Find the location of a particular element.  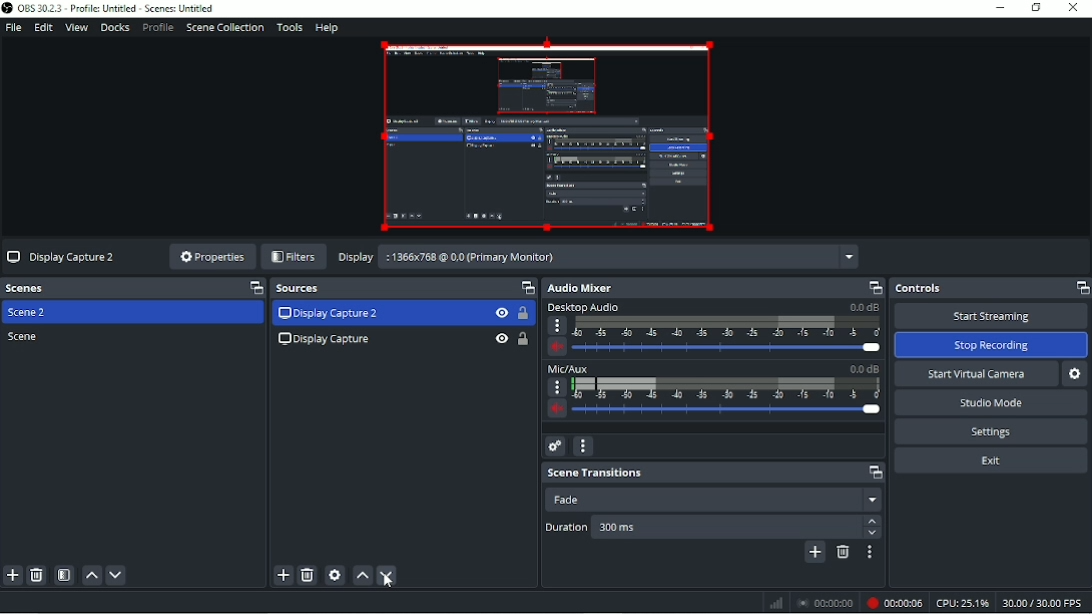

CPU: 25.1% is located at coordinates (961, 602).